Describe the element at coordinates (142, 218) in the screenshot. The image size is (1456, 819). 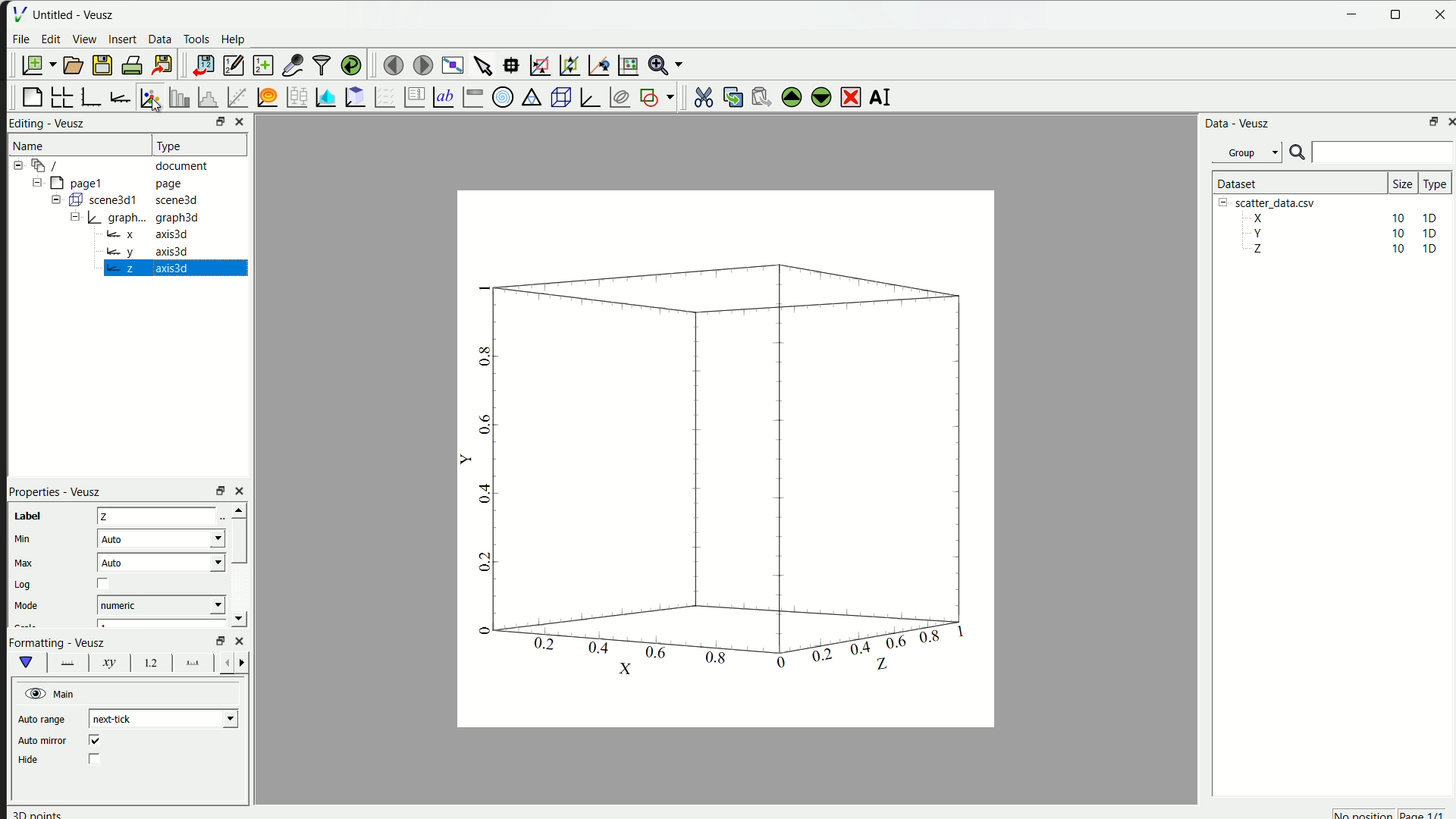
I see `= | graph... graph3d` at that location.